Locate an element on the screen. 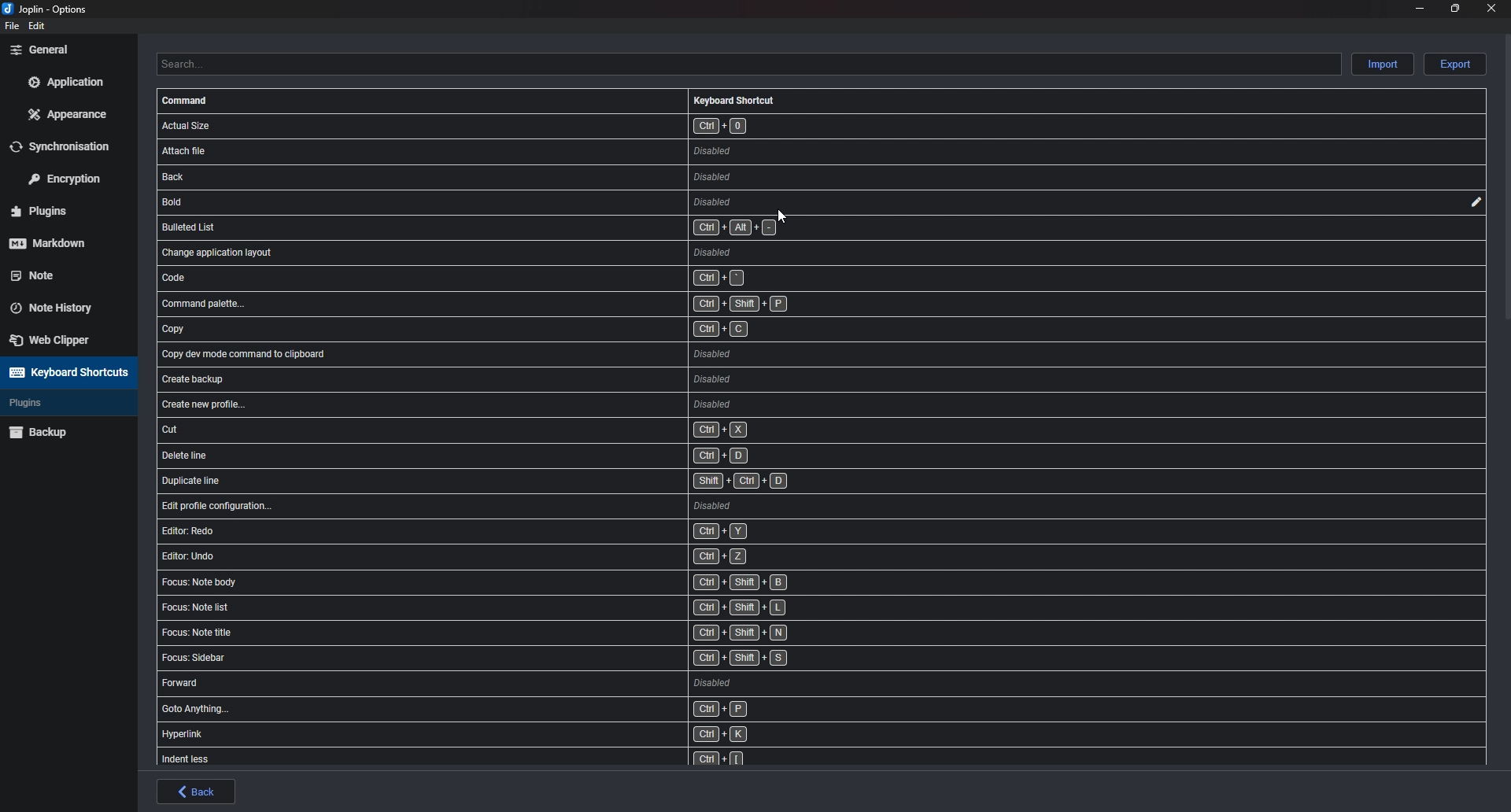  shortcut is located at coordinates (529, 326).